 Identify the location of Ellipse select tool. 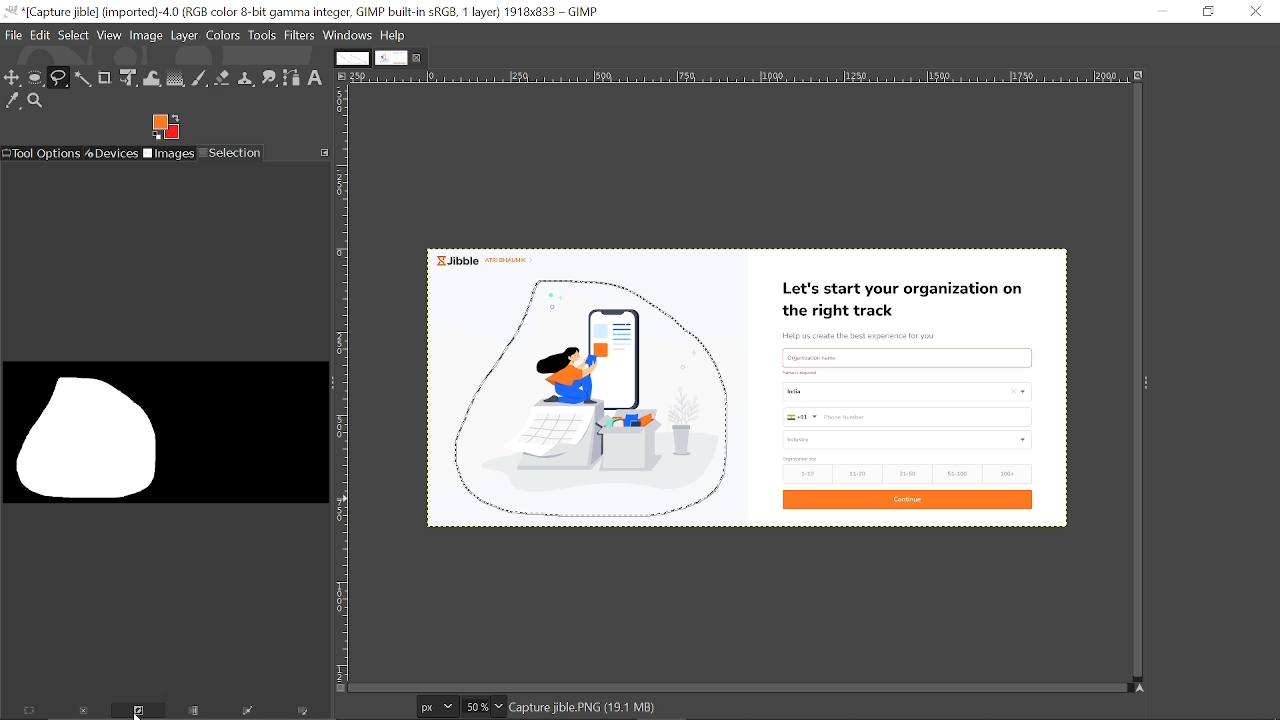
(36, 79).